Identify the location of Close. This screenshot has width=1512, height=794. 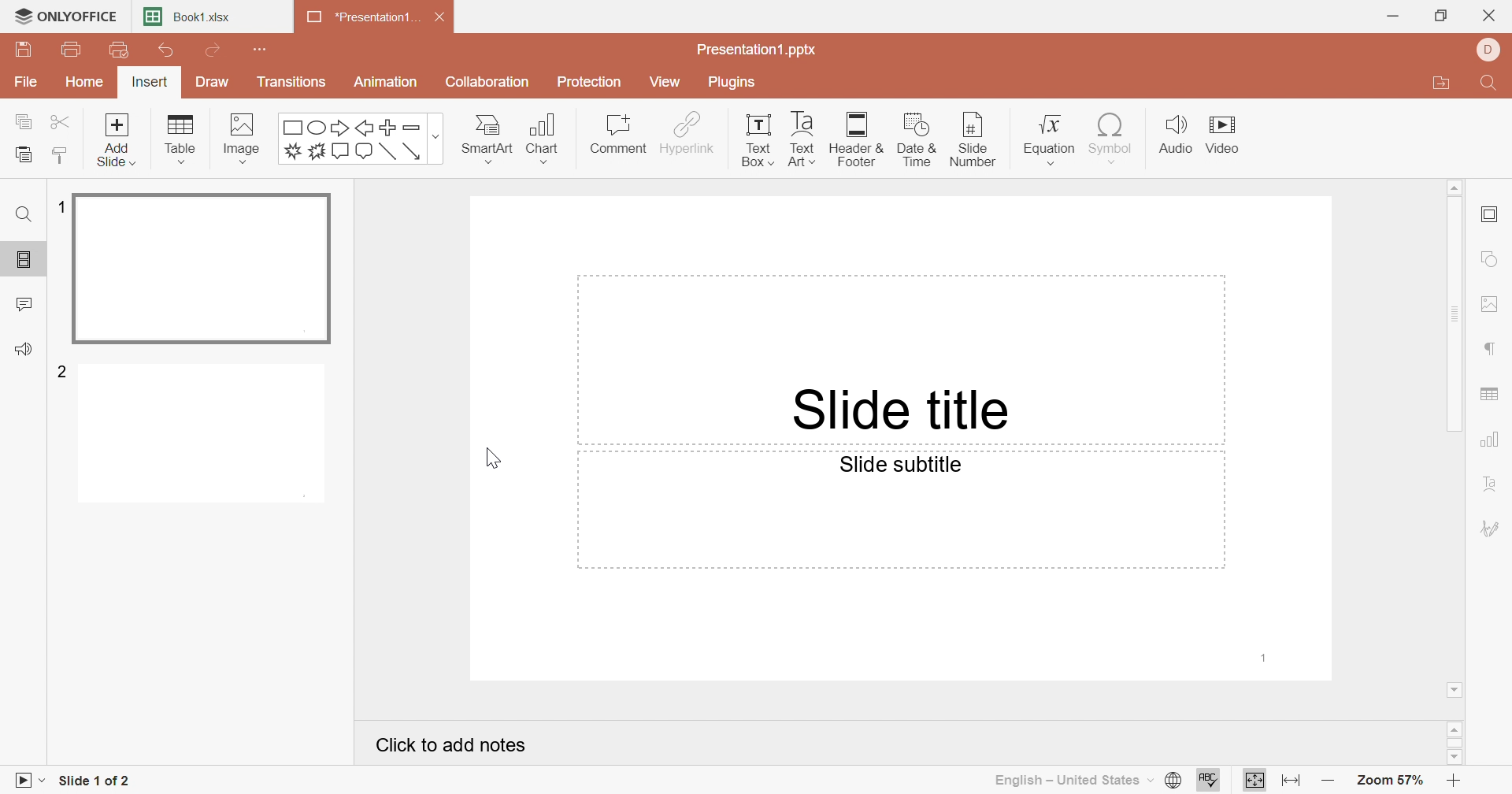
(1492, 17).